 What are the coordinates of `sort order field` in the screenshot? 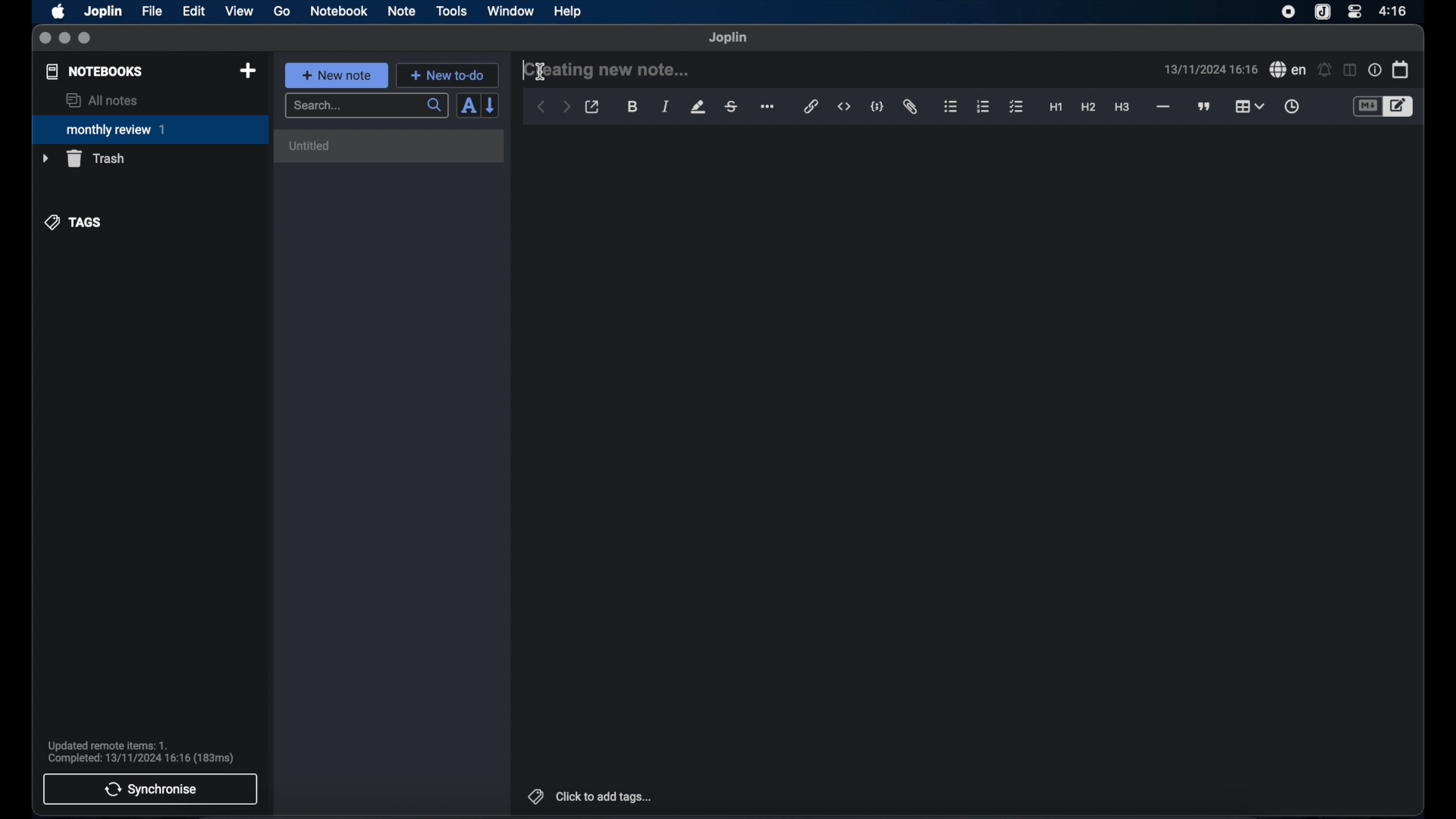 It's located at (468, 106).